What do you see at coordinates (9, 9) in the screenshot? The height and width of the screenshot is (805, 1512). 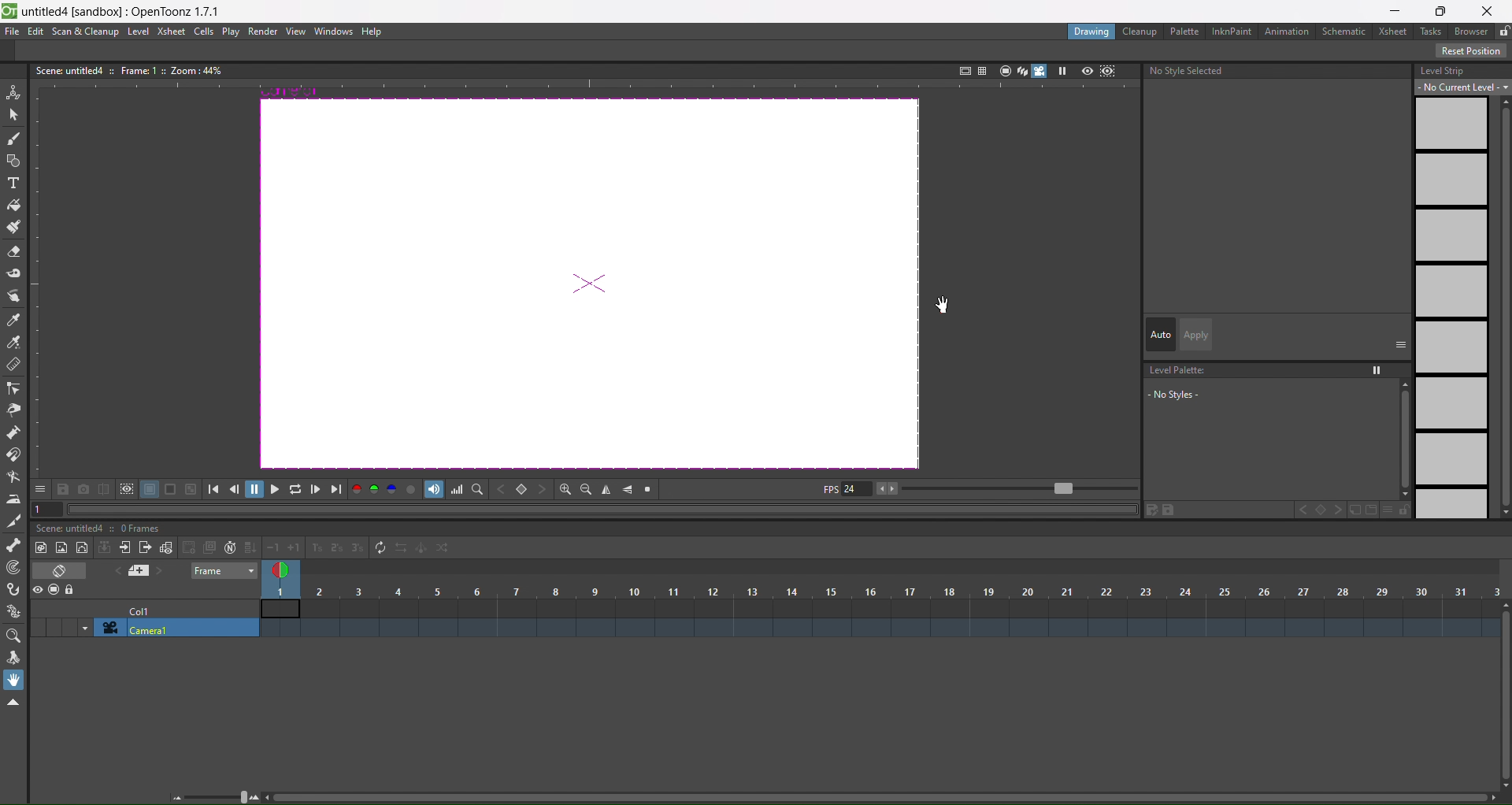 I see `logo` at bounding box center [9, 9].